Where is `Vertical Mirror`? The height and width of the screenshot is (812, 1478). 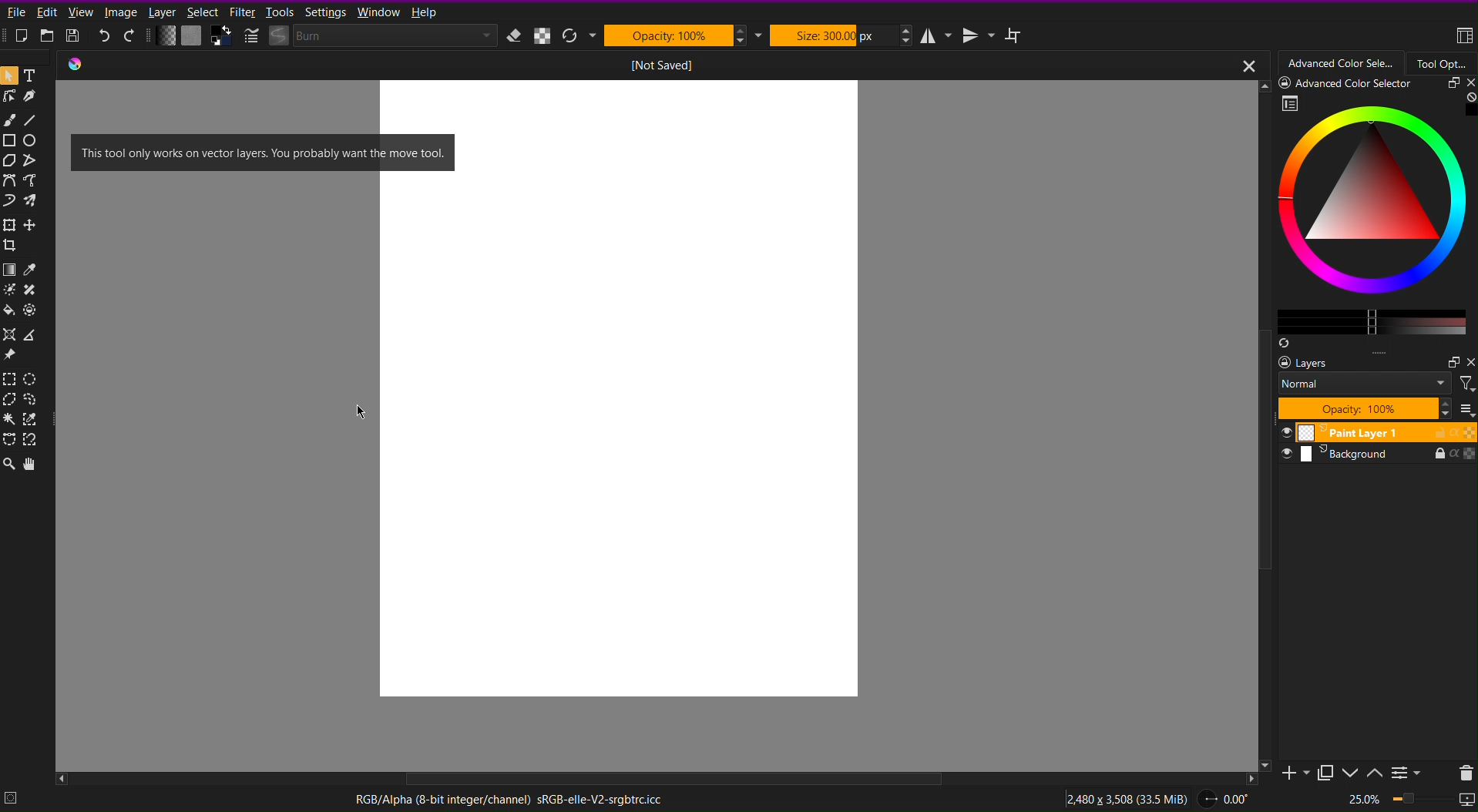
Vertical Mirror is located at coordinates (978, 34).